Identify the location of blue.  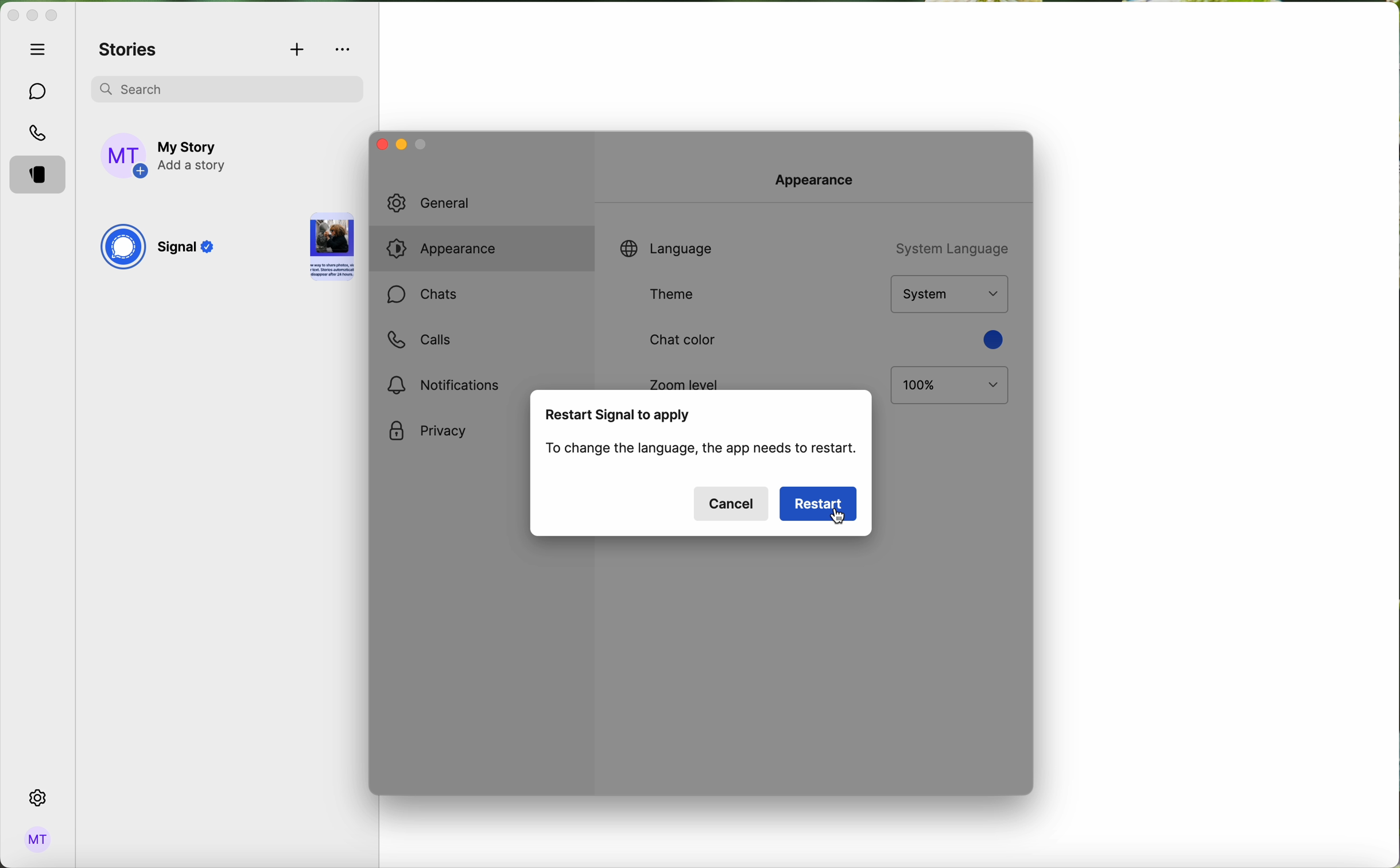
(991, 339).